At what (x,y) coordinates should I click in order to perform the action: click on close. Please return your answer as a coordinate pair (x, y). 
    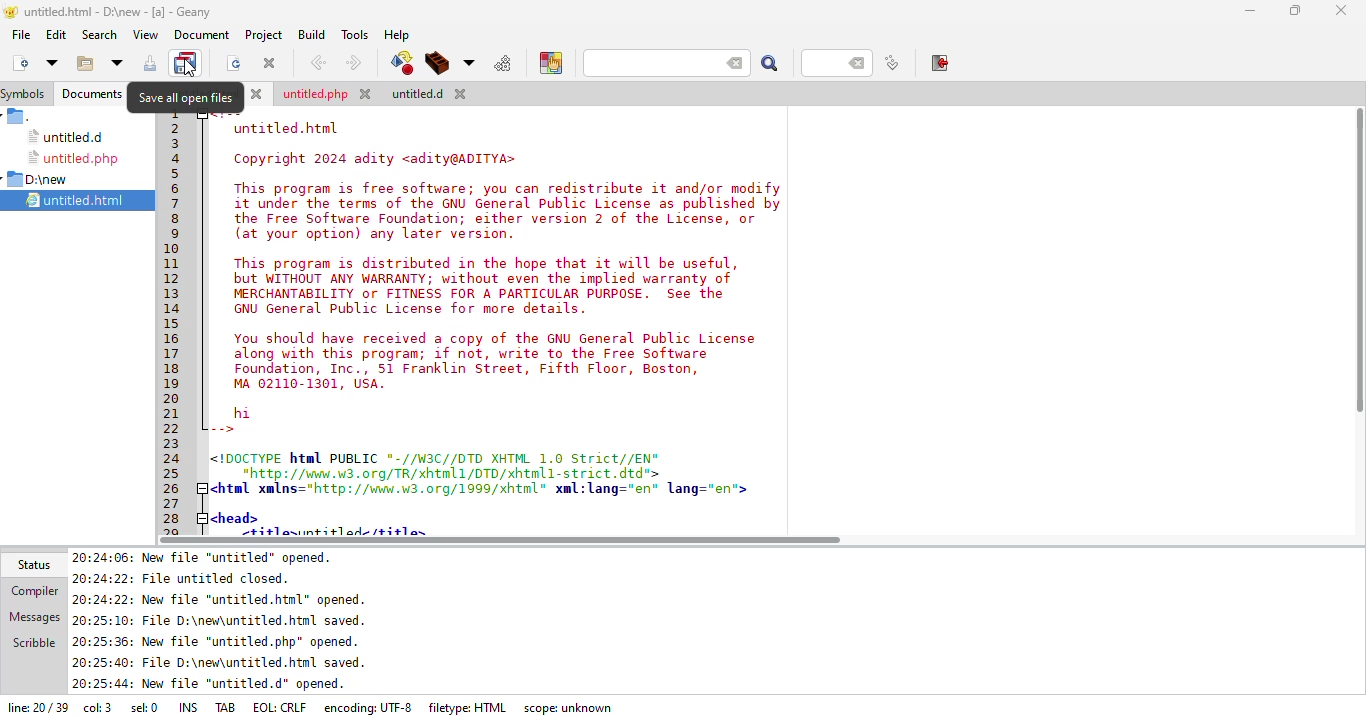
    Looking at the image, I should click on (460, 94).